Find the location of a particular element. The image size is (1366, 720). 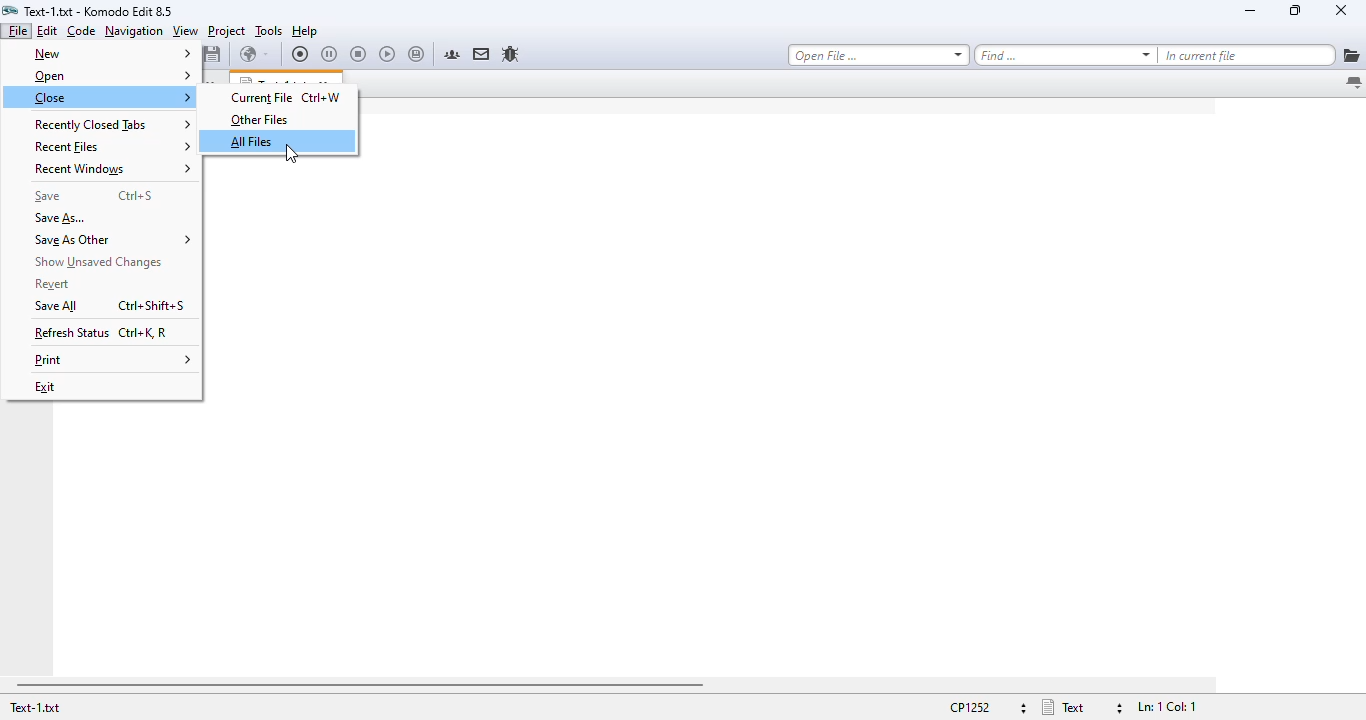

save file is located at coordinates (213, 54).